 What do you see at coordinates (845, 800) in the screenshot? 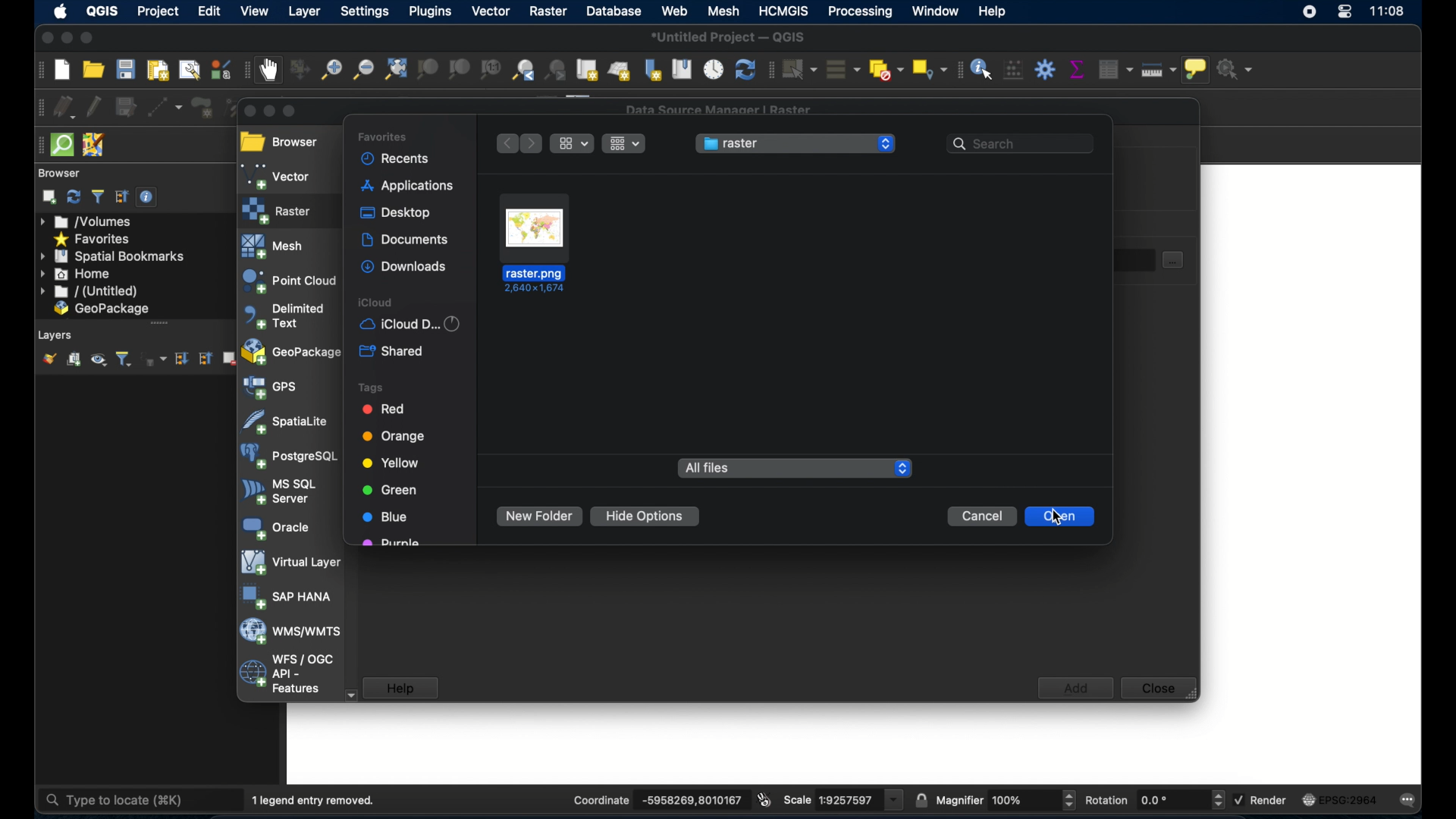
I see `scale` at bounding box center [845, 800].